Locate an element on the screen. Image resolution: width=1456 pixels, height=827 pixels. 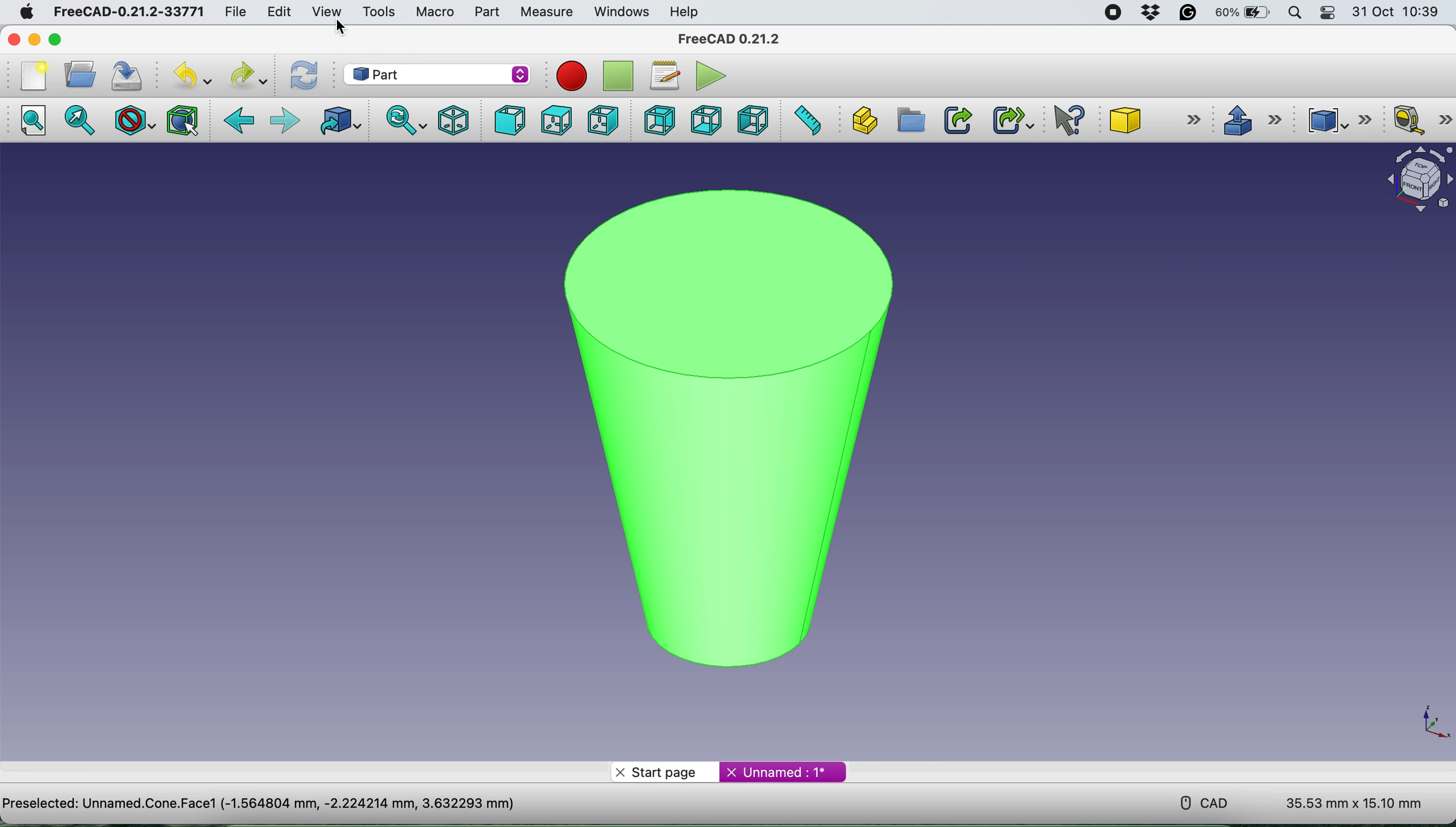
front is located at coordinates (507, 121).